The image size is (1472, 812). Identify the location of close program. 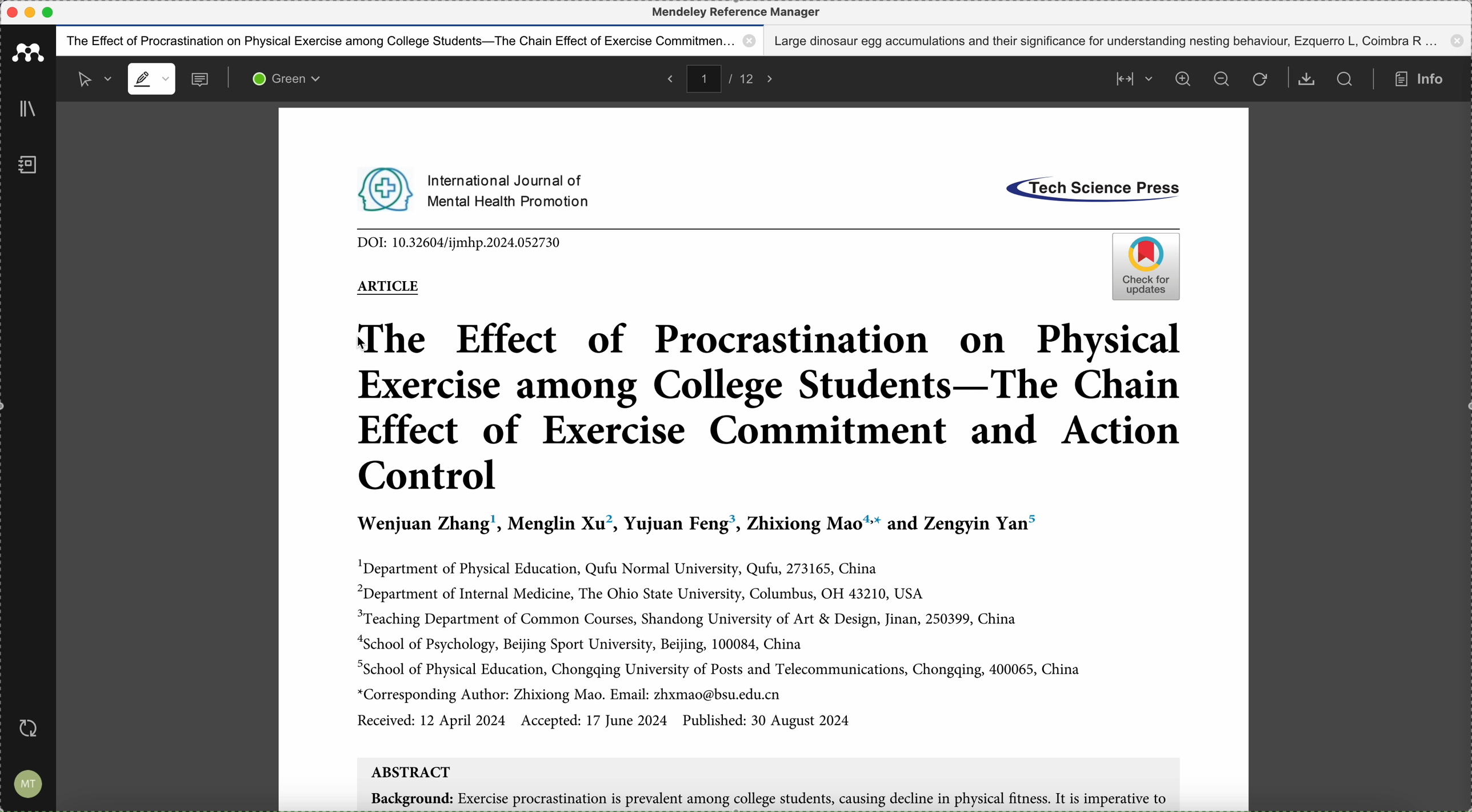
(11, 13).